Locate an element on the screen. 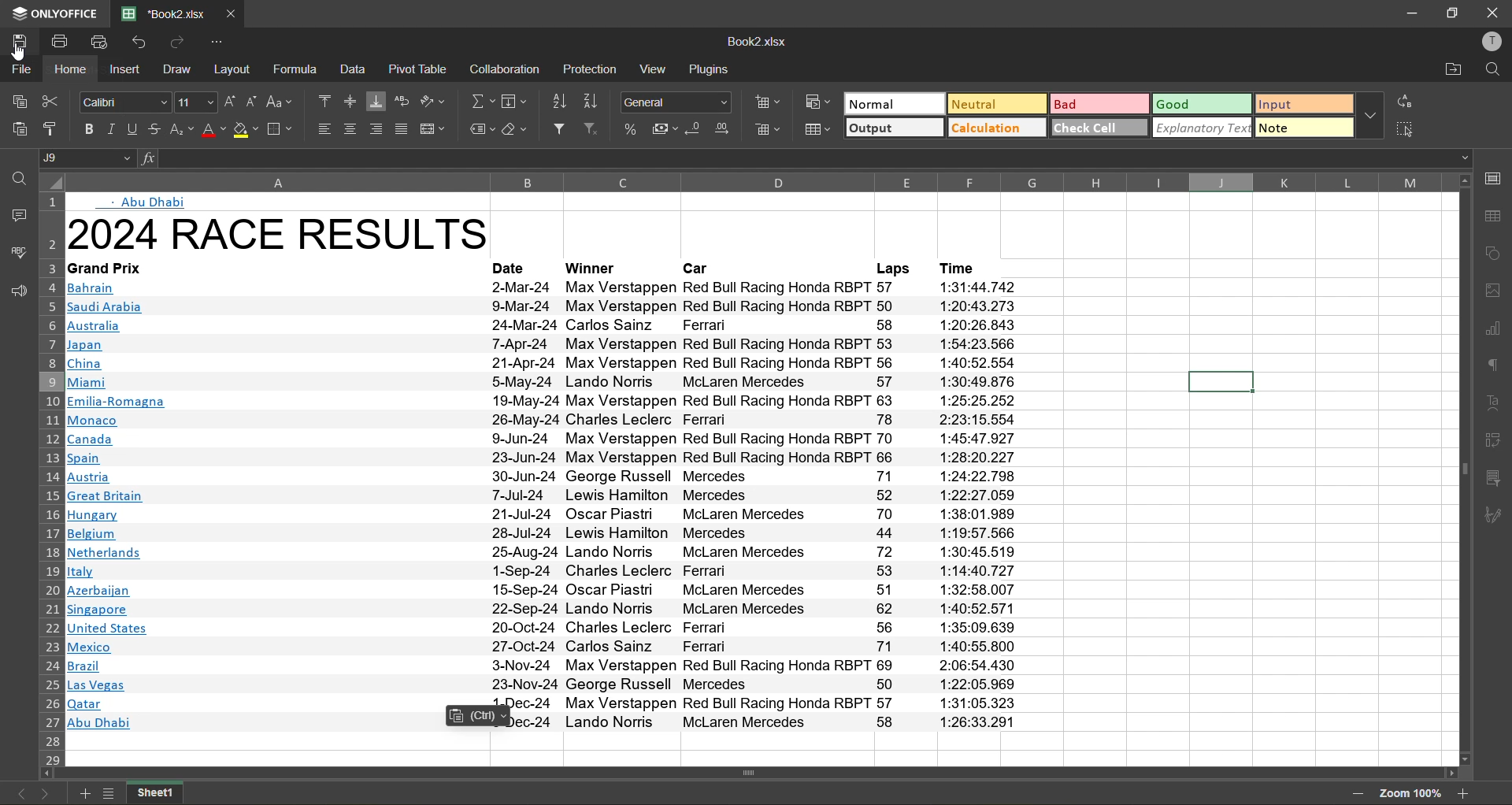  move right is located at coordinates (1450, 774).